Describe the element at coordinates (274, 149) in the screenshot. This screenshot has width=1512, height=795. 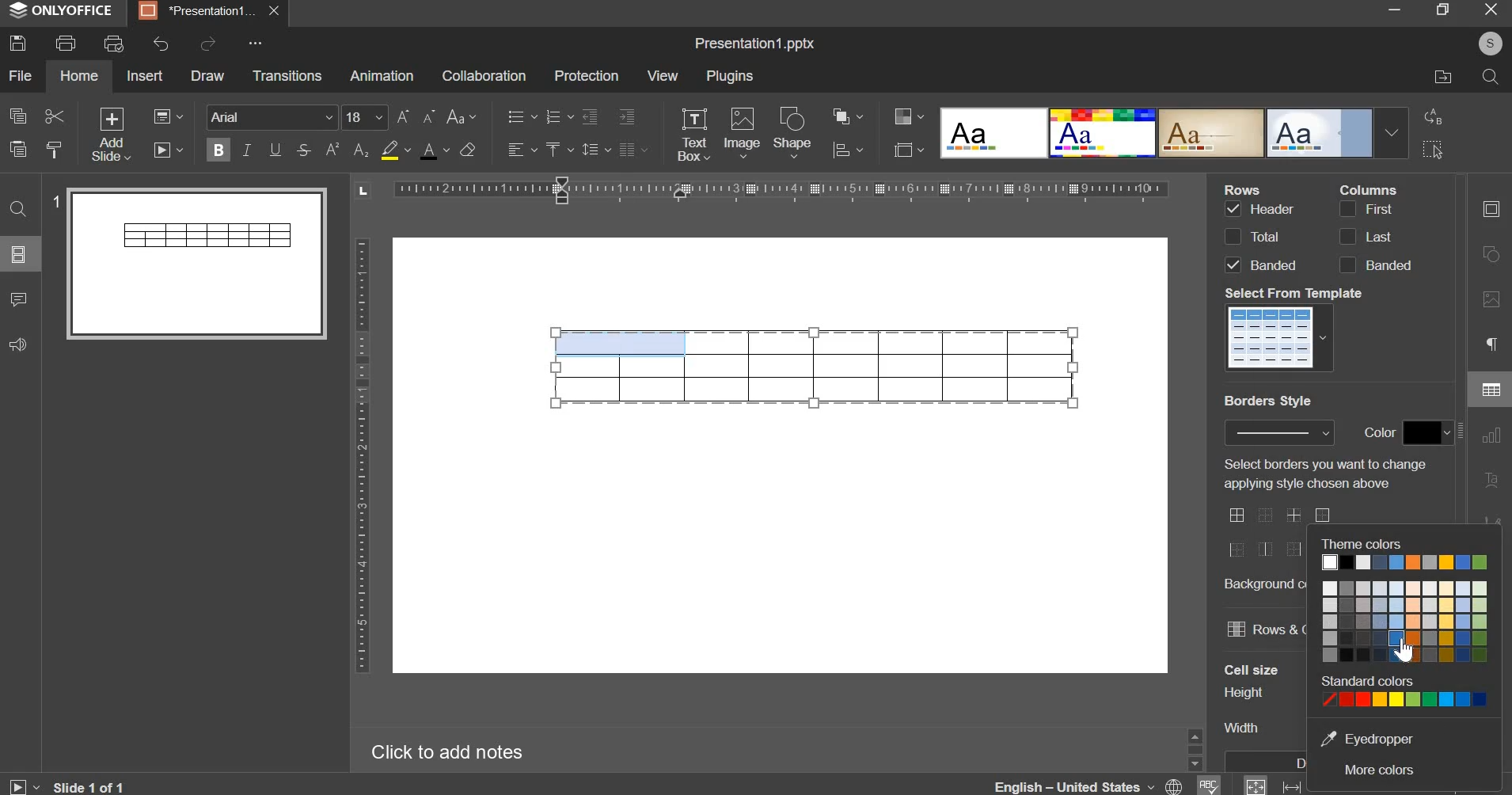
I see `underline` at that location.